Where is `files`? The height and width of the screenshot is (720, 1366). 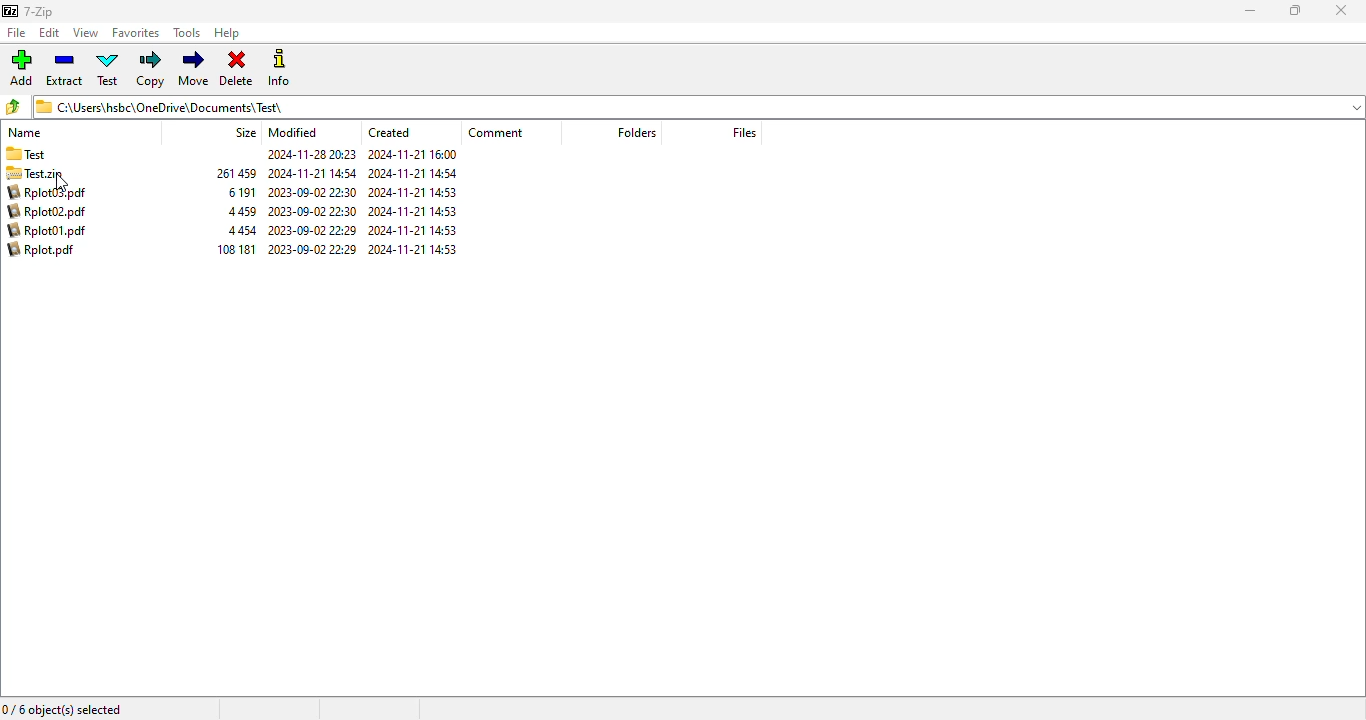
files is located at coordinates (744, 132).